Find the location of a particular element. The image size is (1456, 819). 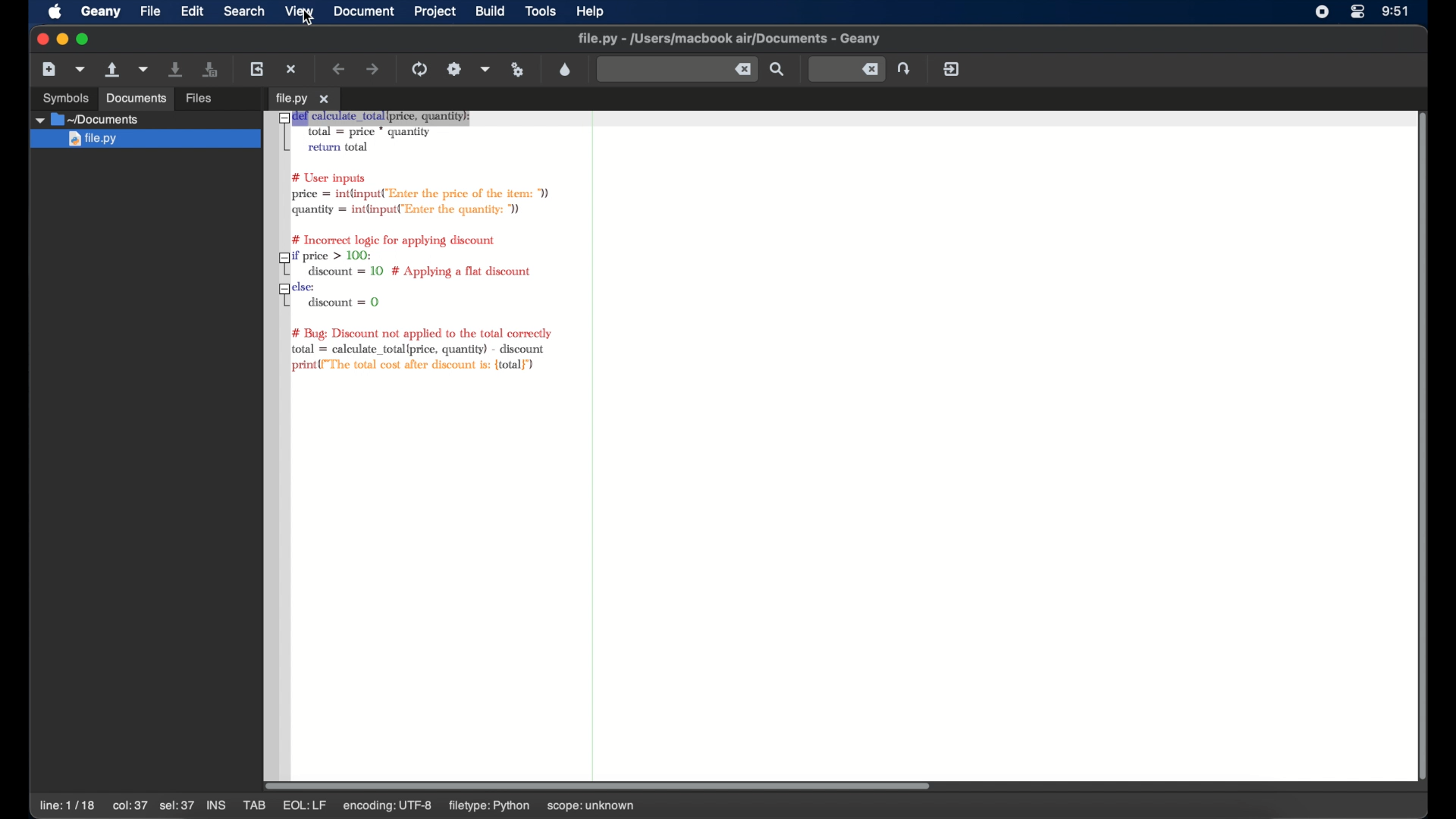

tab is located at coordinates (254, 805).